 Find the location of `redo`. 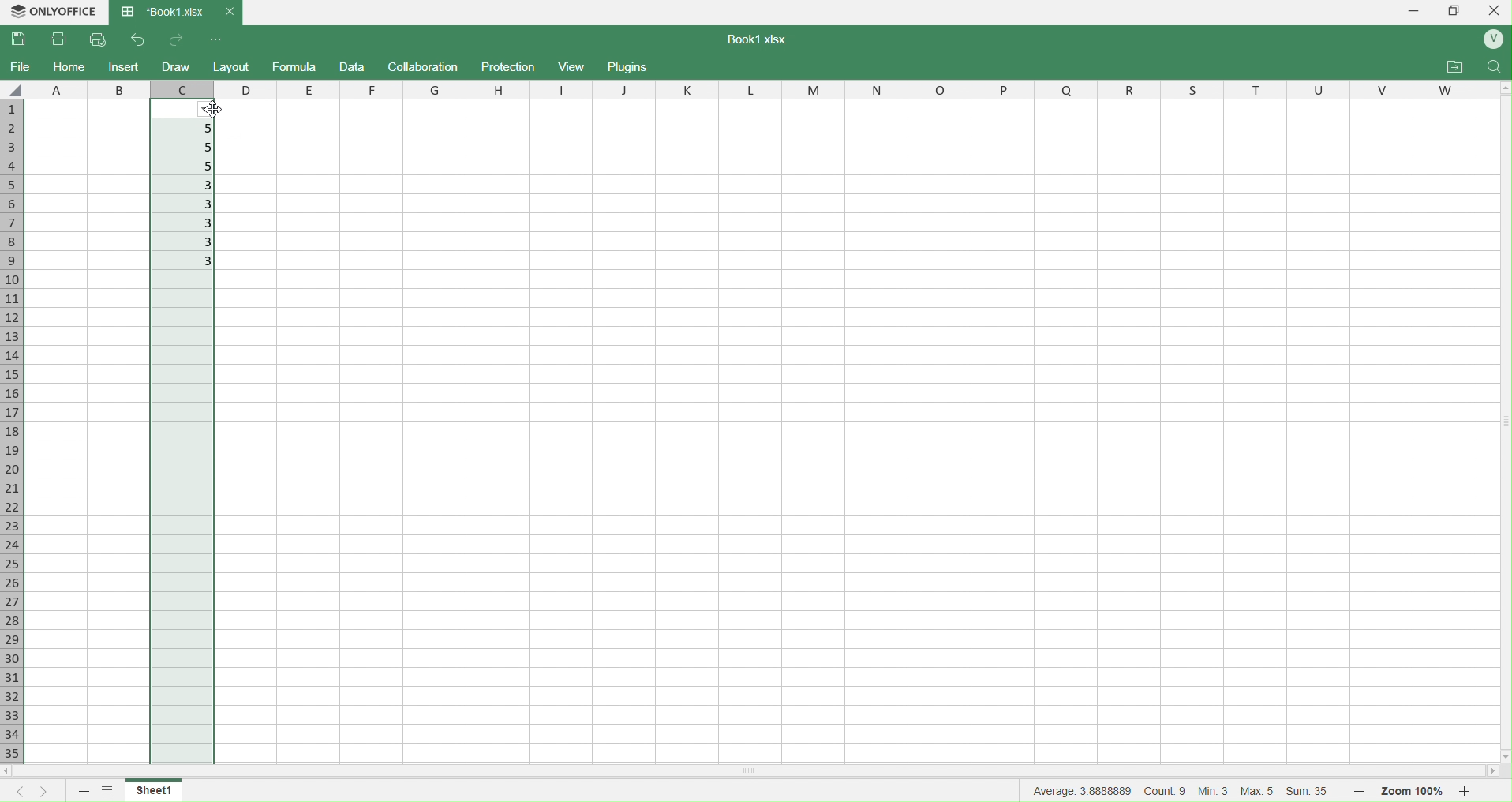

redo is located at coordinates (178, 39).